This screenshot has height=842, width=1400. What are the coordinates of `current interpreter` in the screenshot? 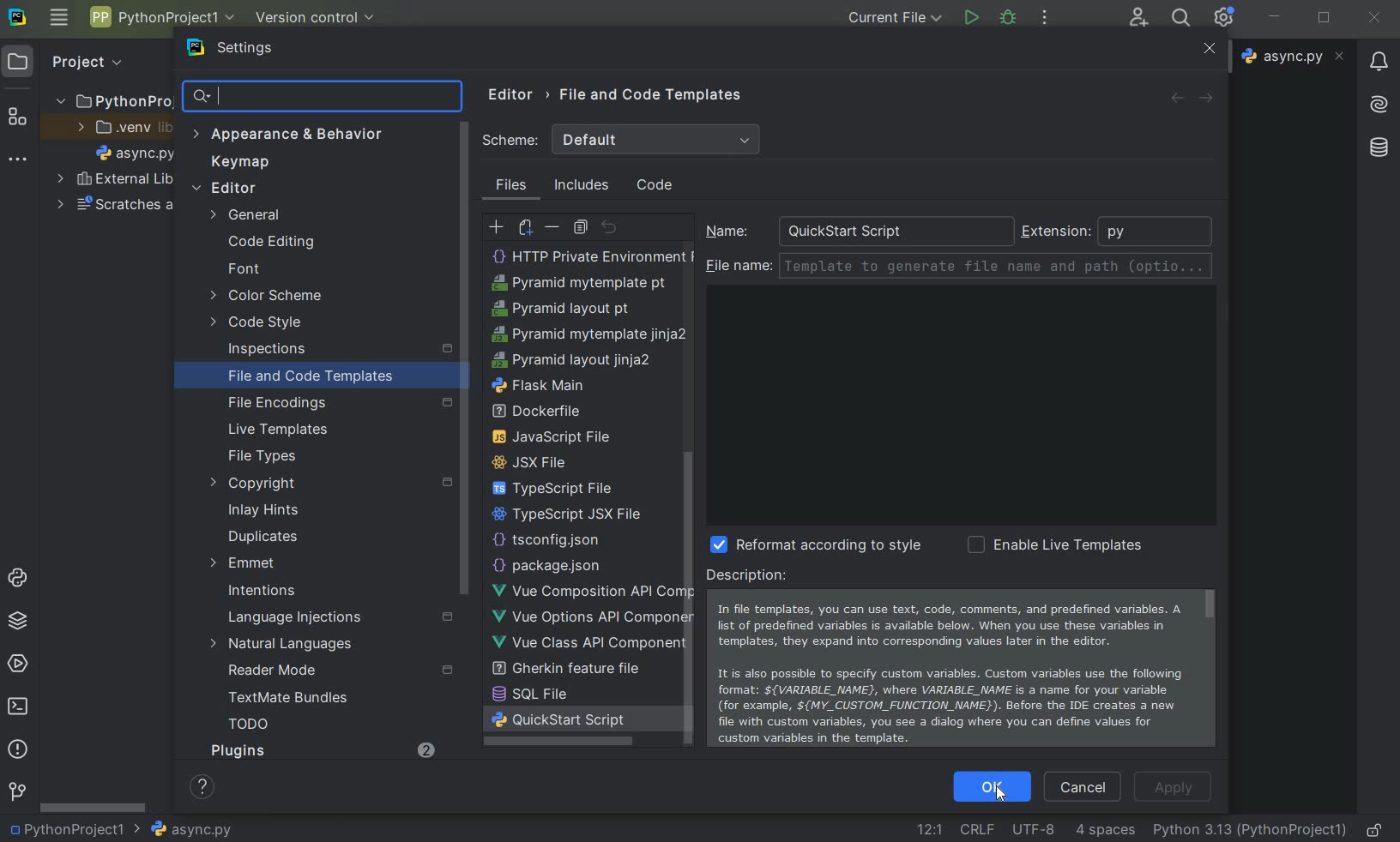 It's located at (1252, 831).